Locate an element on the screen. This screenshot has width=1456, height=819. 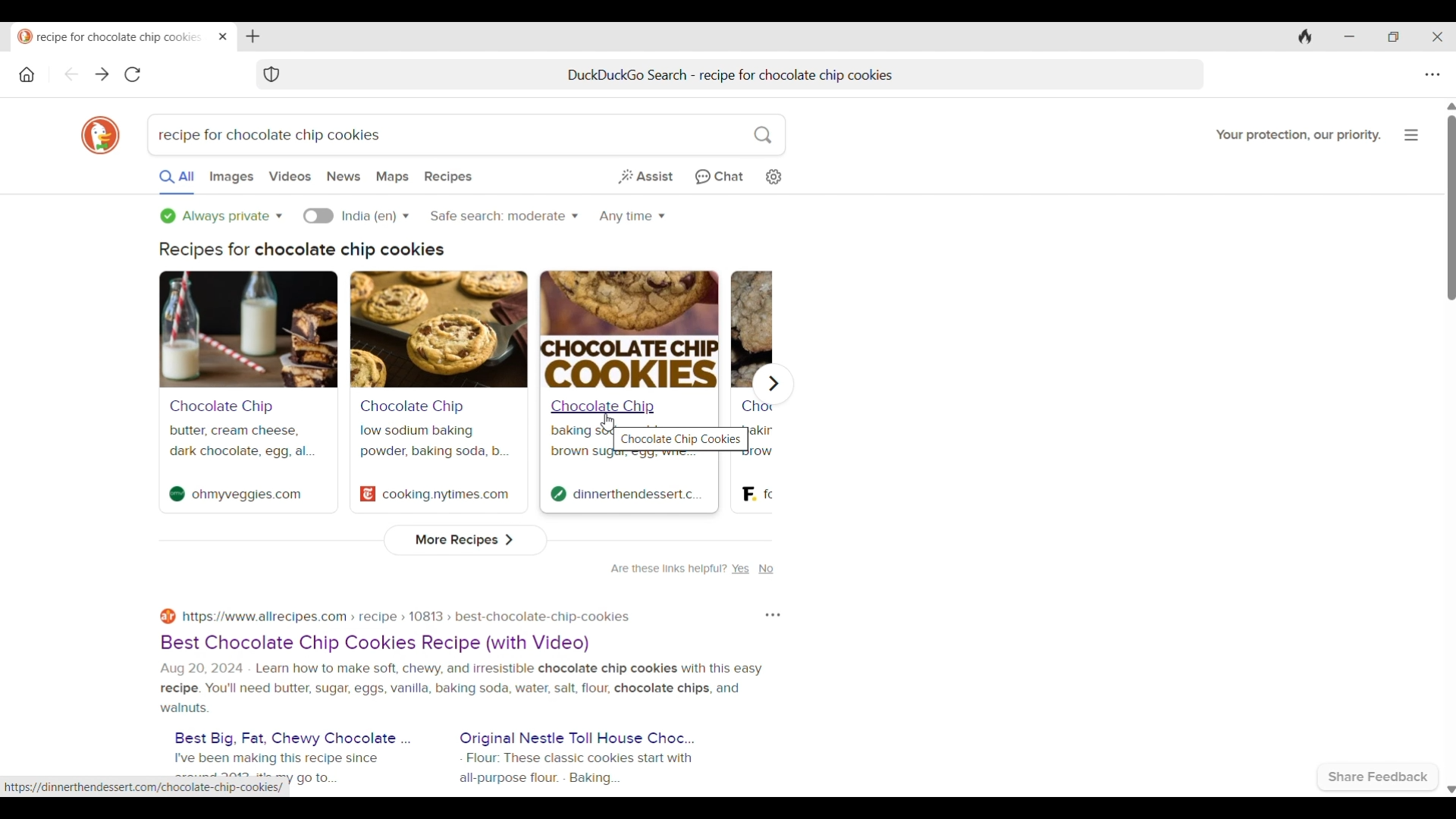
Chat privately with AI is located at coordinates (720, 177).